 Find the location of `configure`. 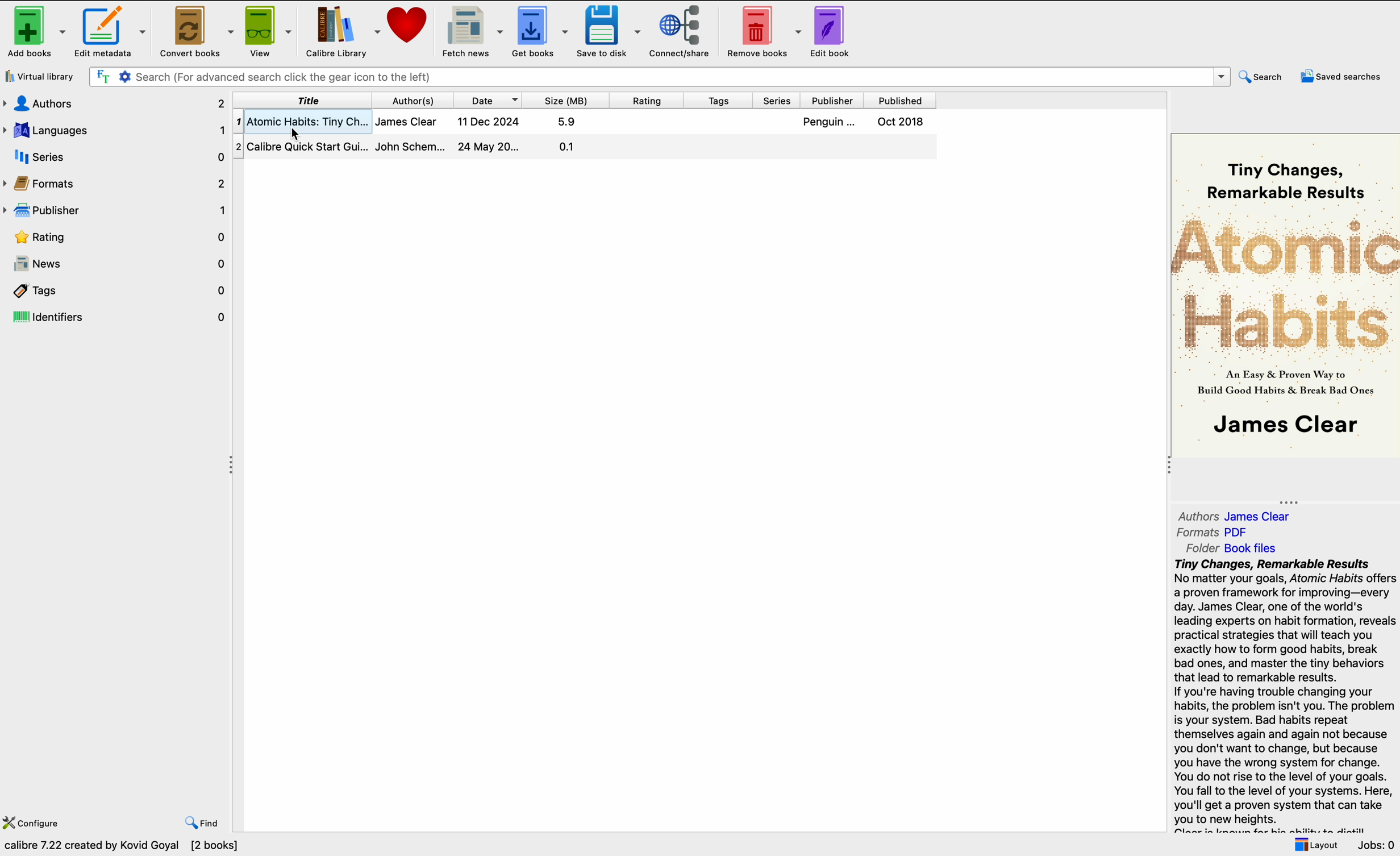

configure is located at coordinates (34, 824).